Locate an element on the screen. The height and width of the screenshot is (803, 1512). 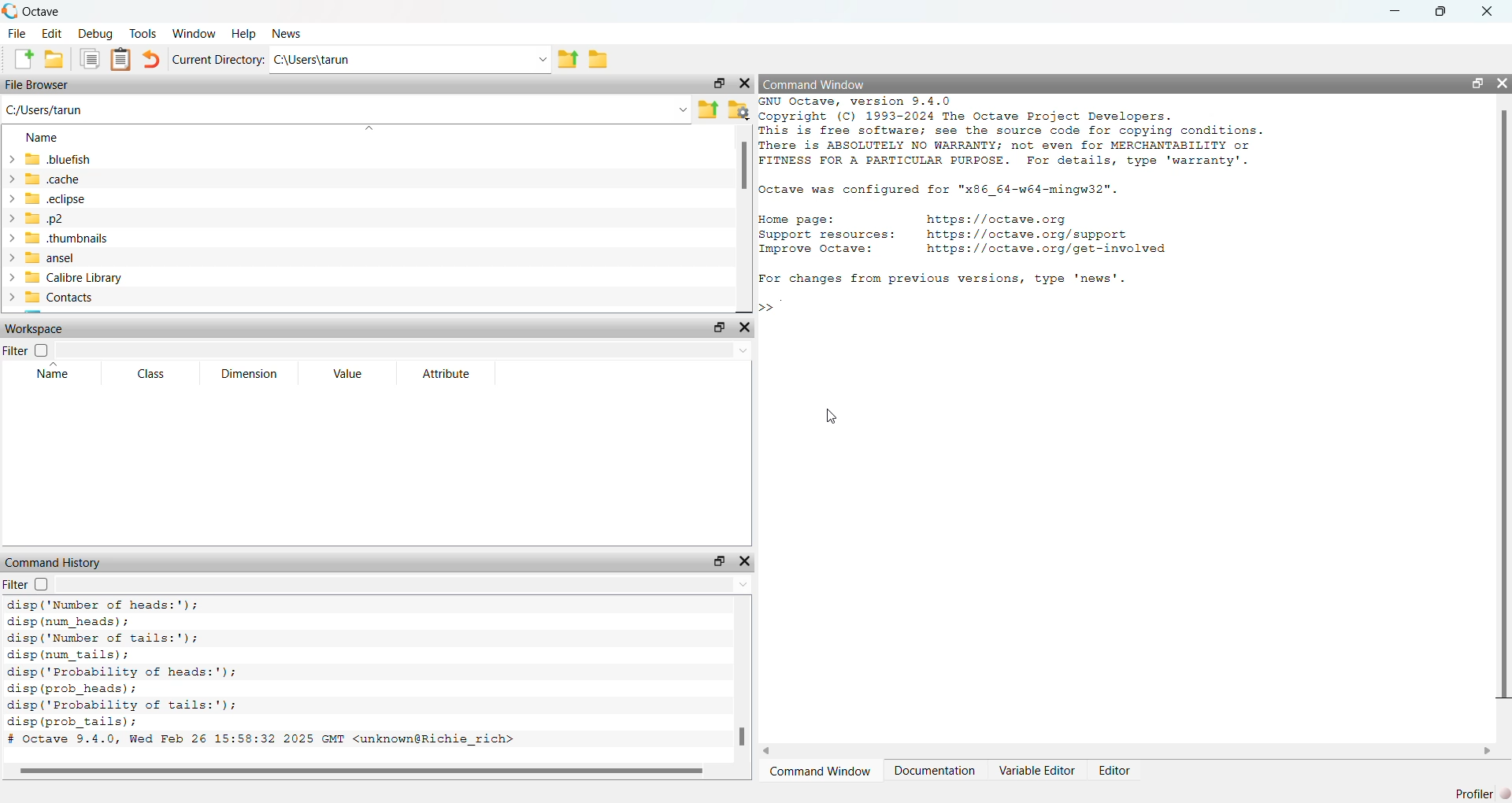
Editor is located at coordinates (1114, 771).